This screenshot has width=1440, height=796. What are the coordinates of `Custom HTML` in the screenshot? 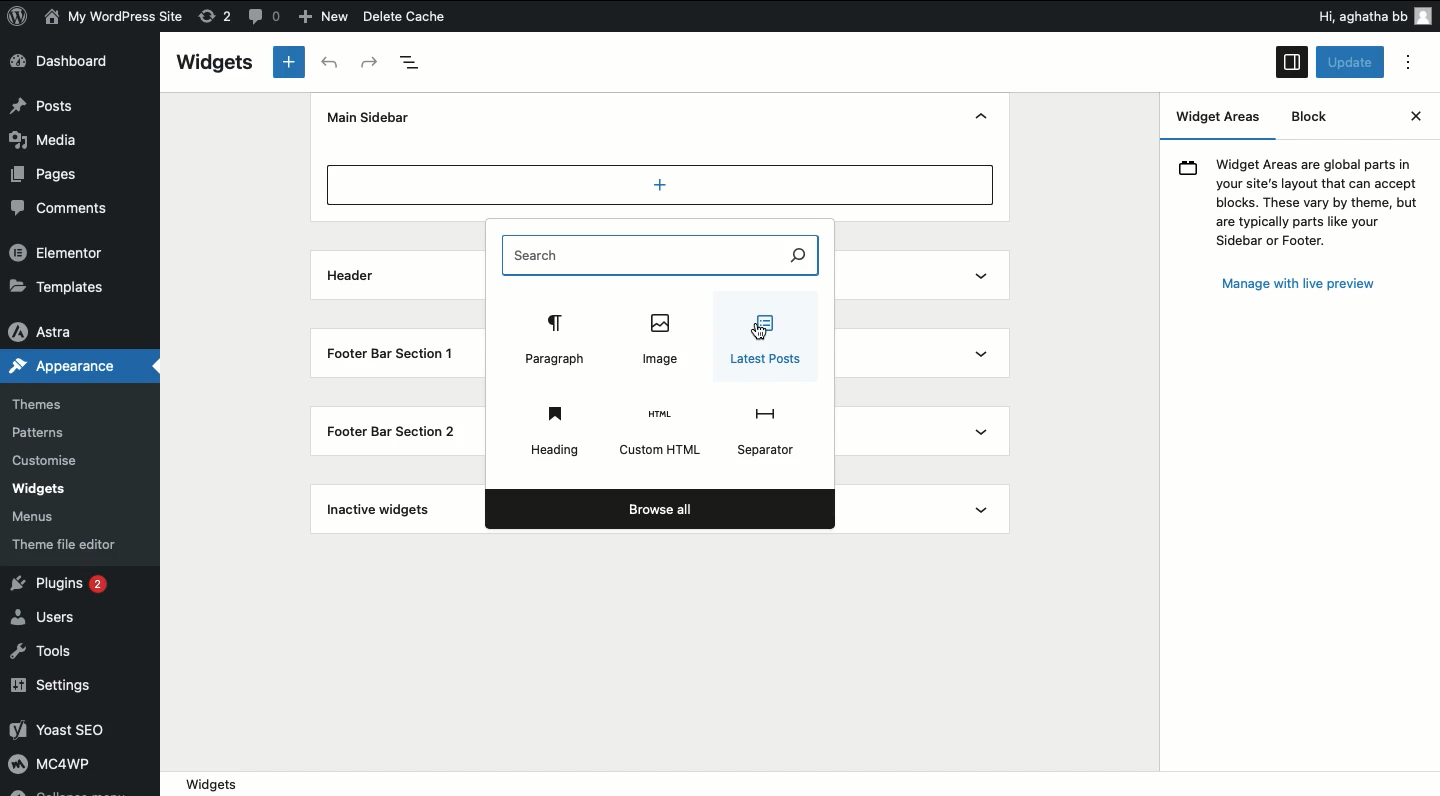 It's located at (659, 434).